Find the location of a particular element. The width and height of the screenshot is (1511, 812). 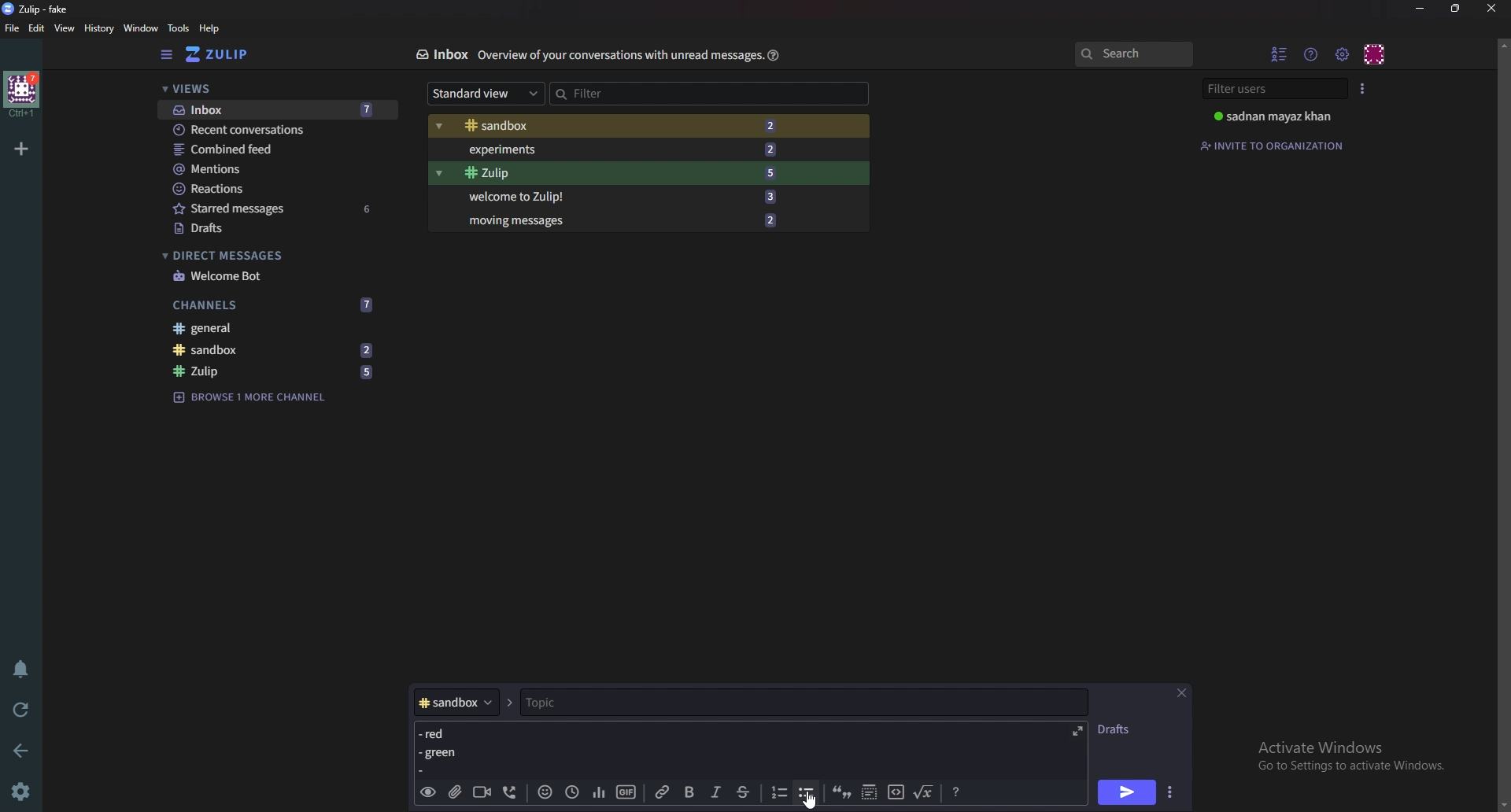

View is located at coordinates (65, 29).